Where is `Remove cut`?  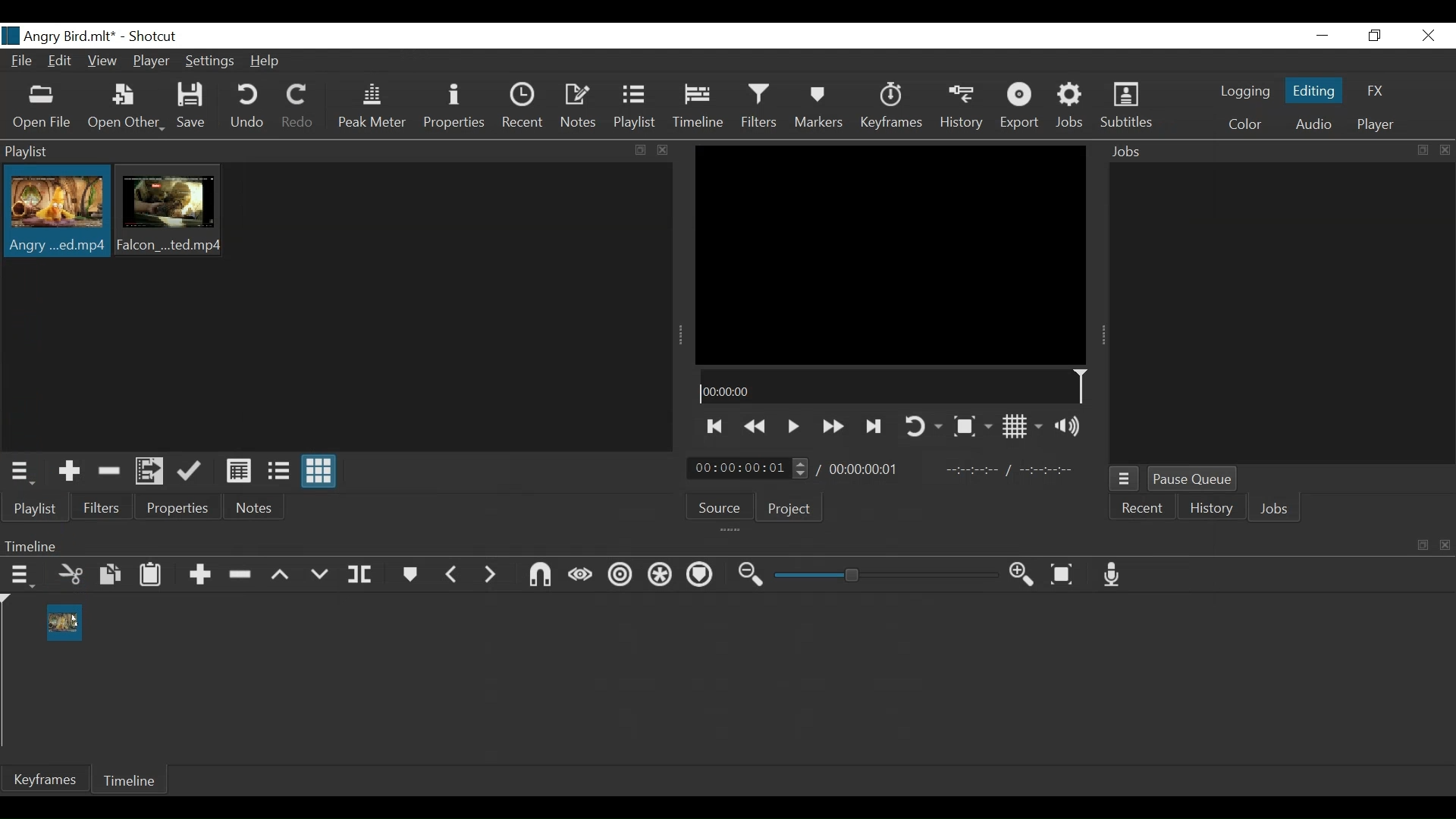 Remove cut is located at coordinates (108, 473).